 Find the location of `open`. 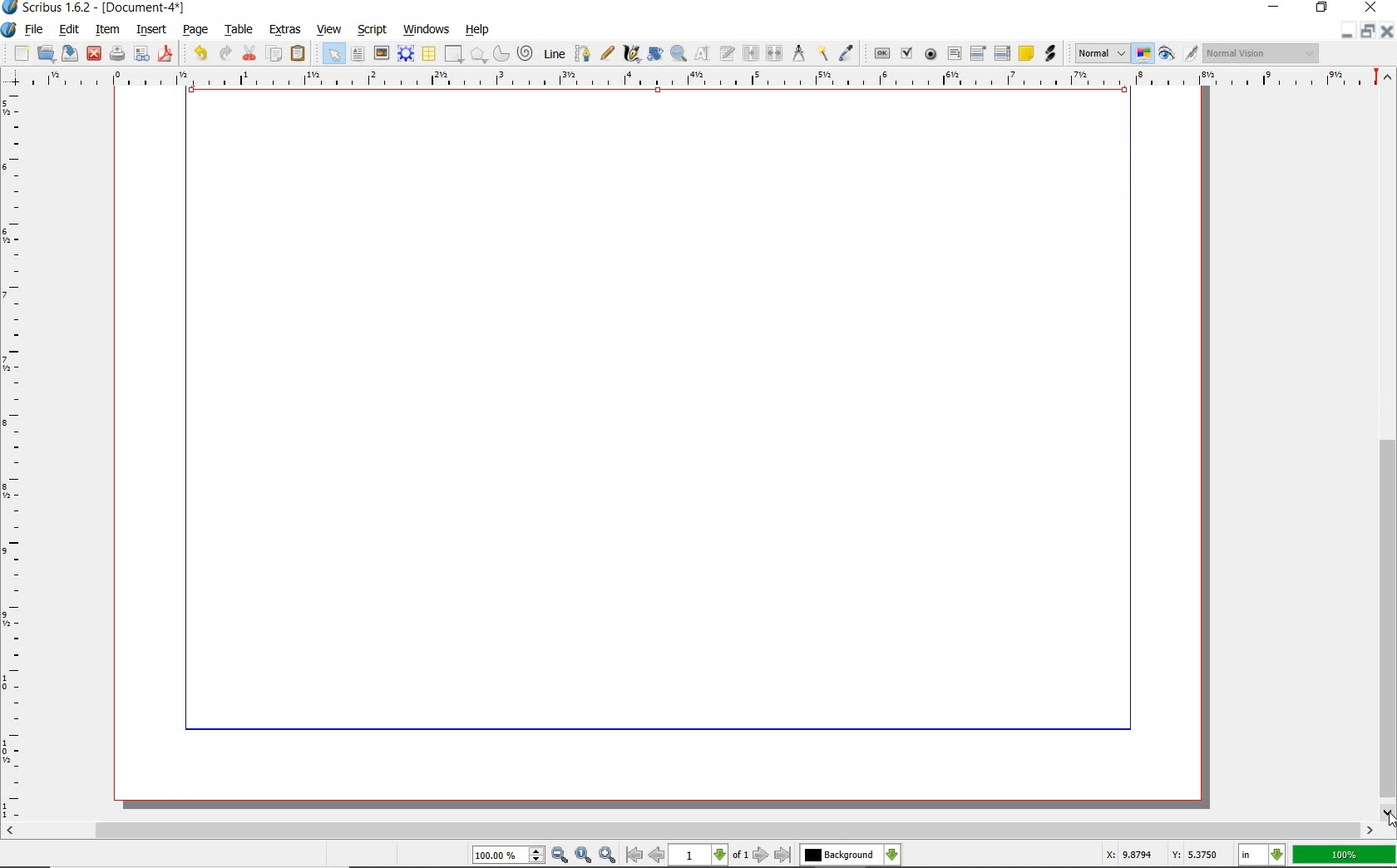

open is located at coordinates (47, 54).